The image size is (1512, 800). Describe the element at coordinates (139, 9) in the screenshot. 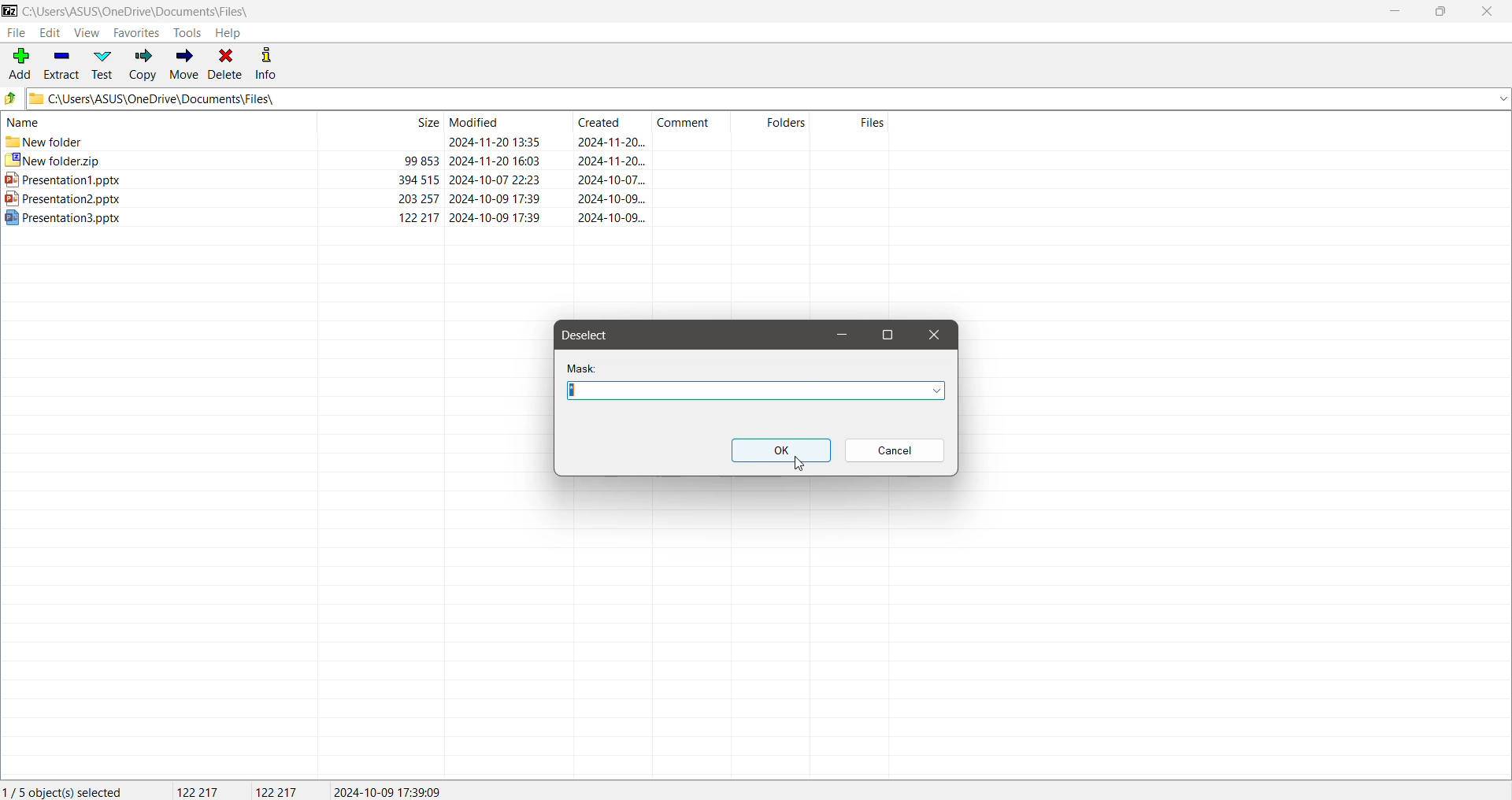

I see `Current Folder Path` at that location.